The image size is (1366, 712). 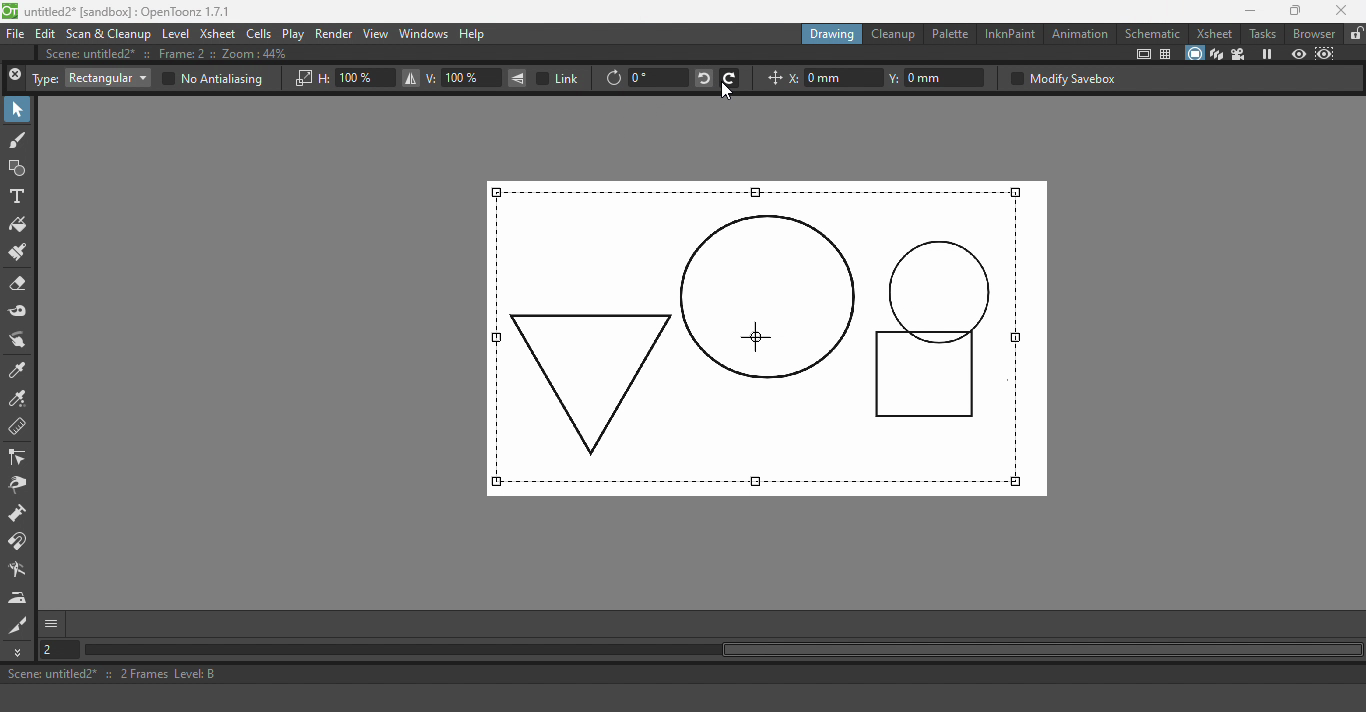 I want to click on Geometric tool, so click(x=18, y=168).